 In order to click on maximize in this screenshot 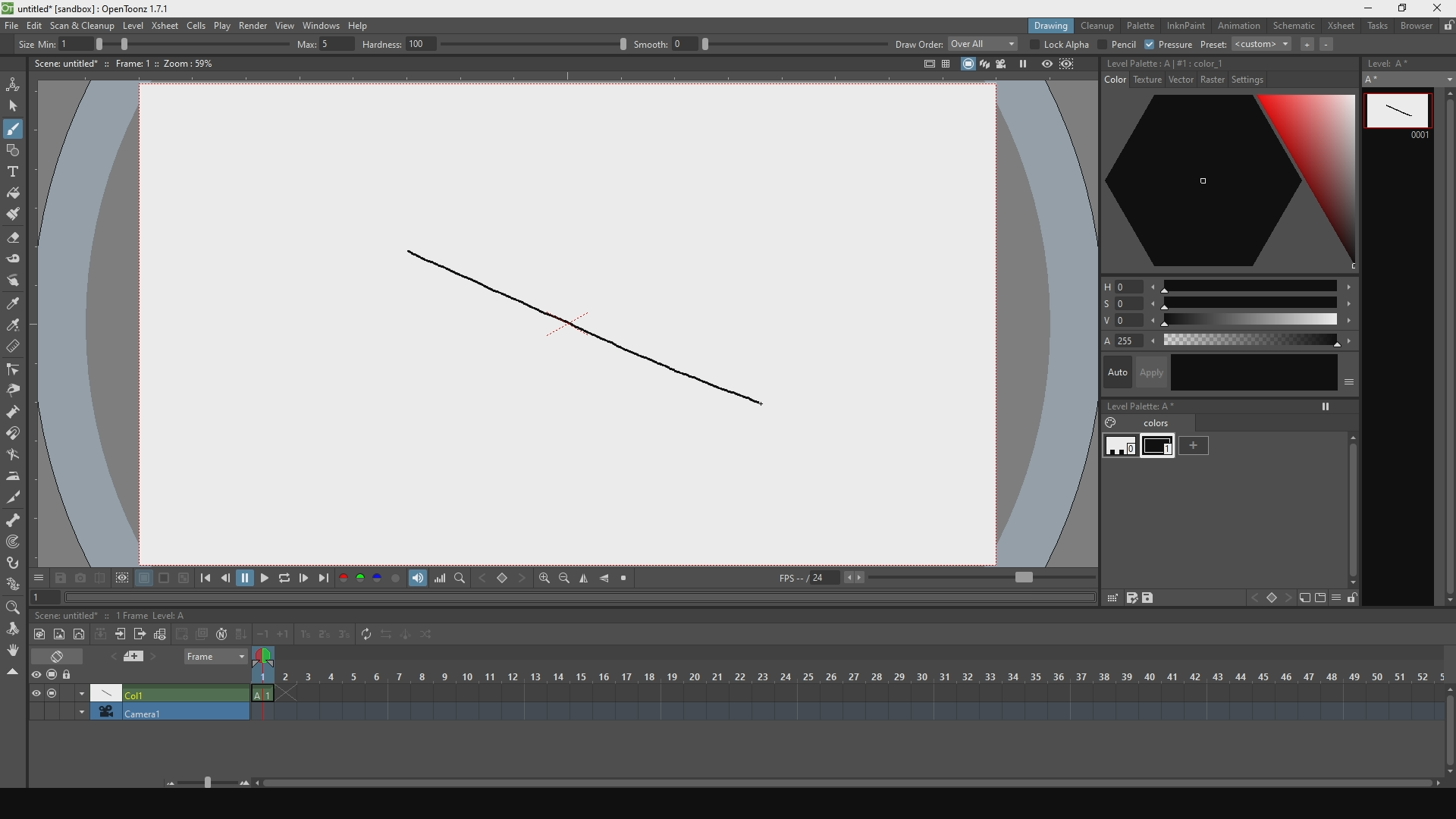, I will do `click(1402, 9)`.